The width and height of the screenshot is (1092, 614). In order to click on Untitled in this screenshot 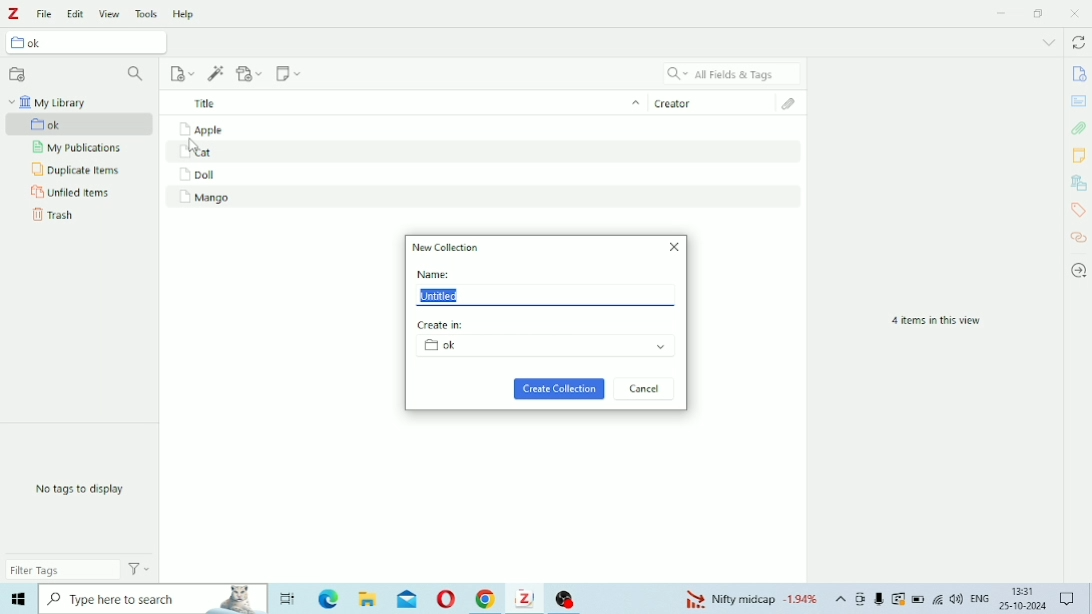, I will do `click(439, 296)`.